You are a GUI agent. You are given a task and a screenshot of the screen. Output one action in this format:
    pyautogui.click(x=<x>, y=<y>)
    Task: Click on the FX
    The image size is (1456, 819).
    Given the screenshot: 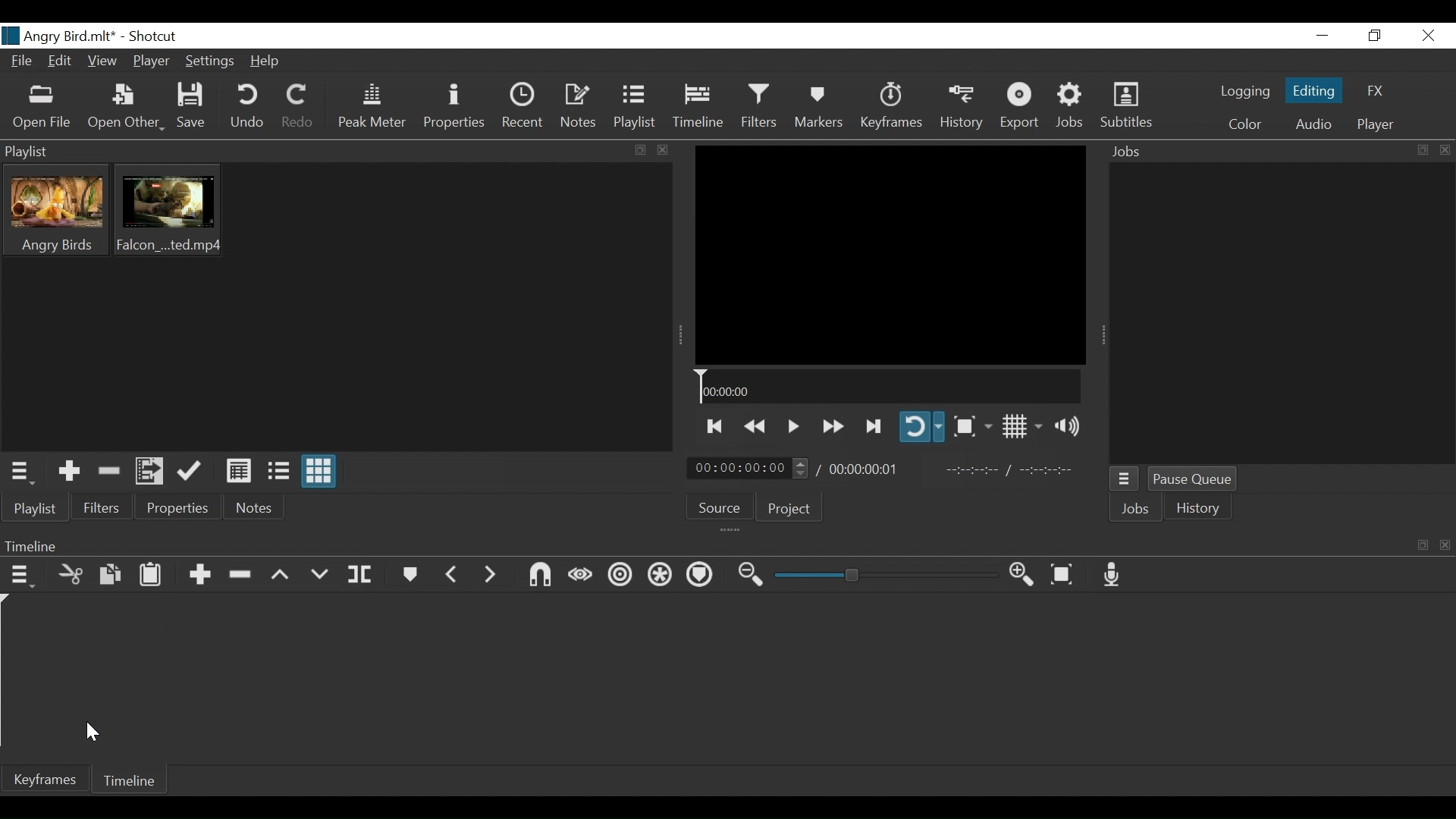 What is the action you would take?
    pyautogui.click(x=1376, y=89)
    